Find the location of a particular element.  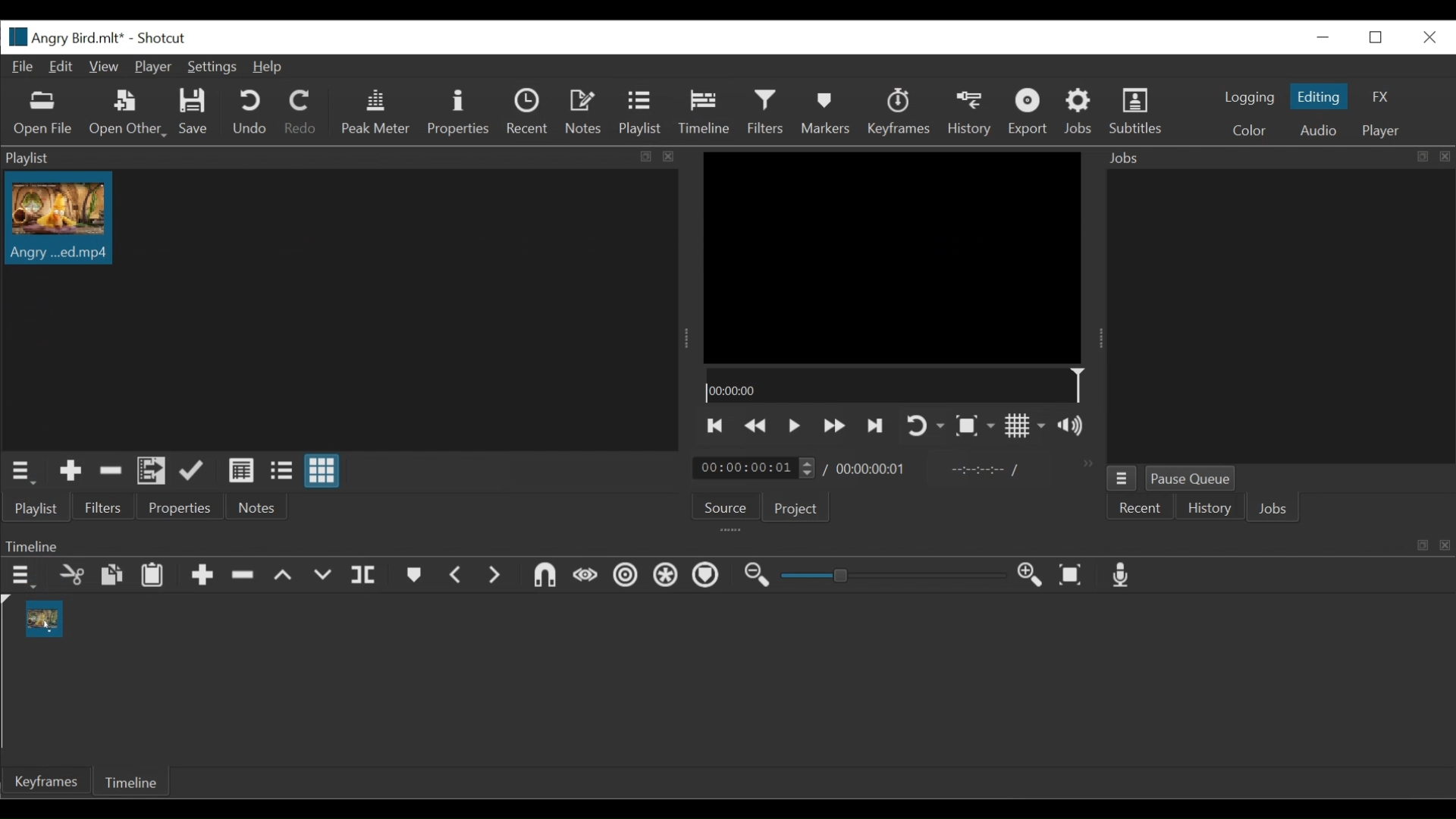

Source is located at coordinates (722, 504).